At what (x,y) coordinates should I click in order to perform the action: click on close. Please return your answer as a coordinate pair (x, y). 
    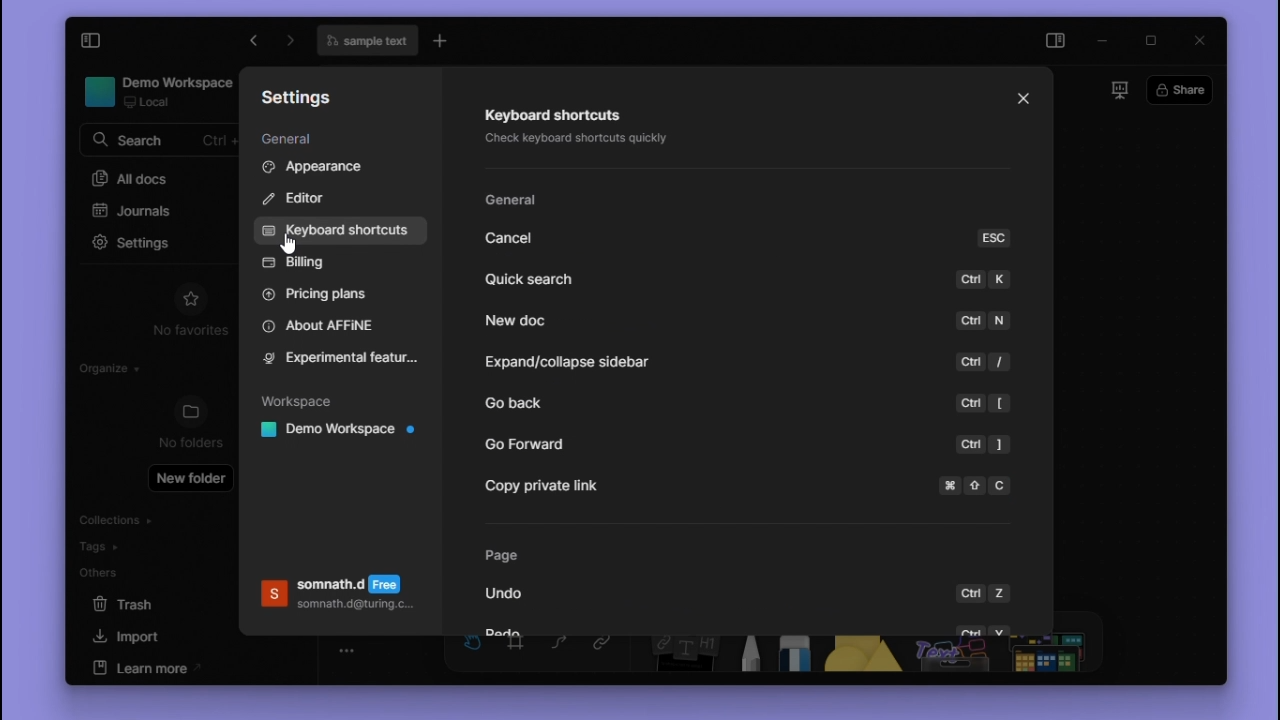
    Looking at the image, I should click on (1199, 40).